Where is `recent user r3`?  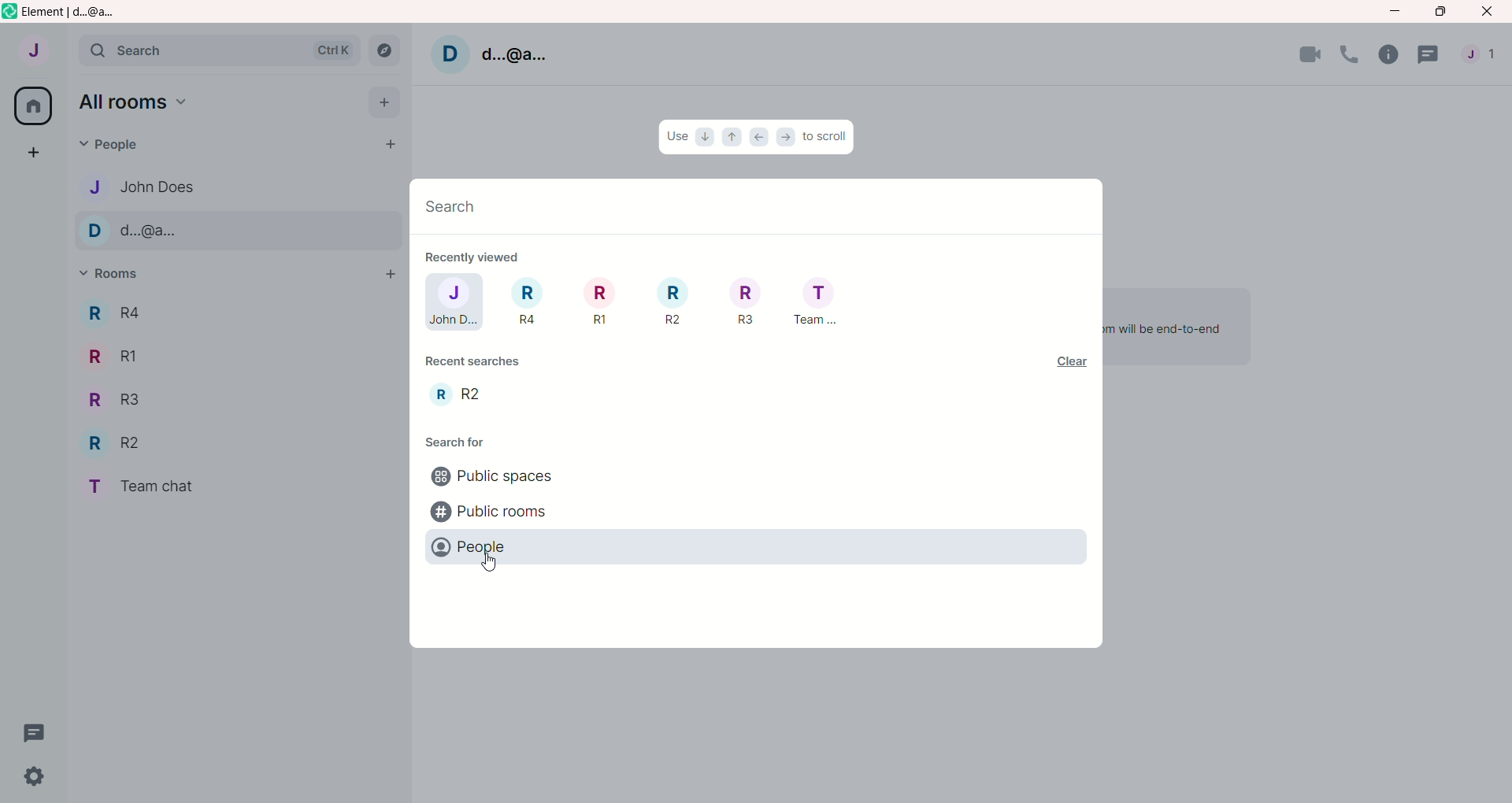
recent user r3 is located at coordinates (745, 302).